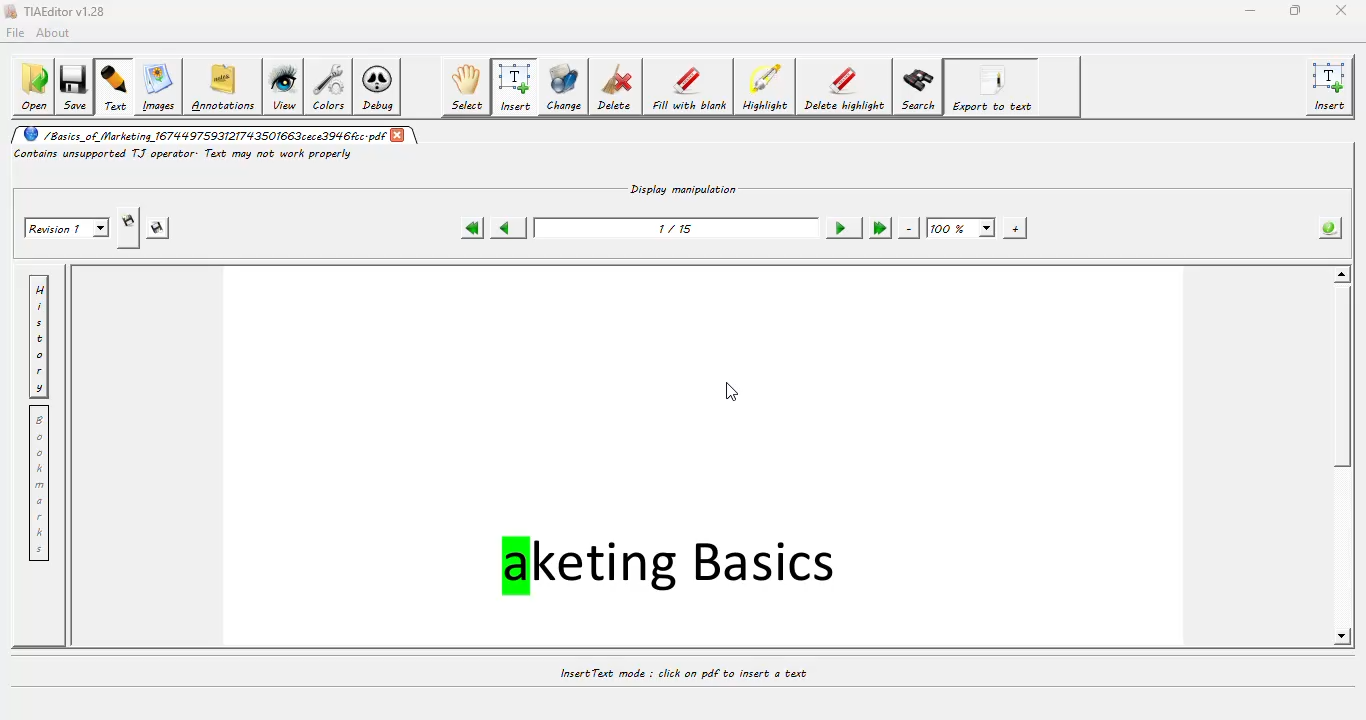 This screenshot has height=720, width=1366. What do you see at coordinates (159, 229) in the screenshot?
I see `saves this revision` at bounding box center [159, 229].